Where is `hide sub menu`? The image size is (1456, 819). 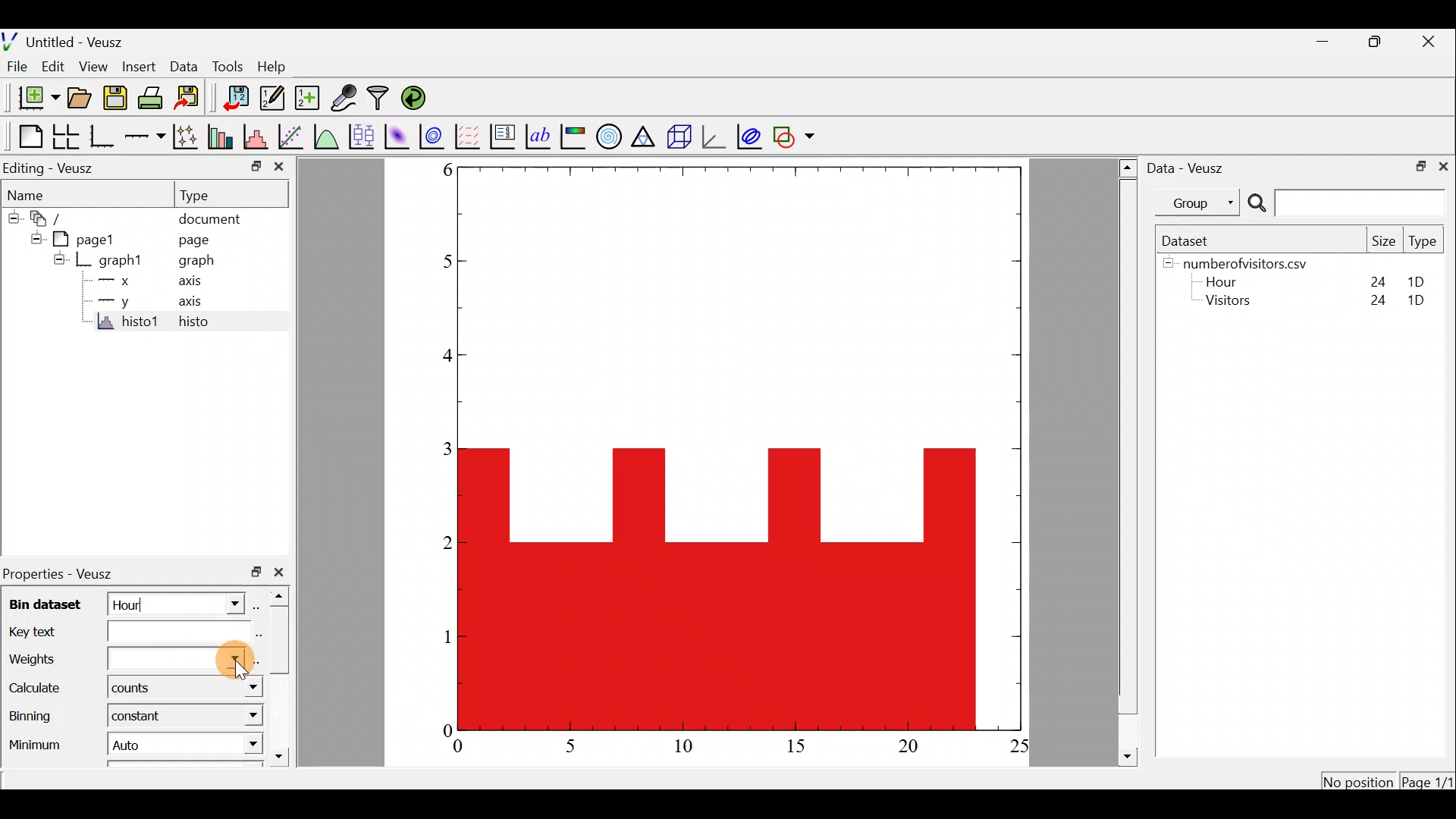
hide sub menu is located at coordinates (33, 239).